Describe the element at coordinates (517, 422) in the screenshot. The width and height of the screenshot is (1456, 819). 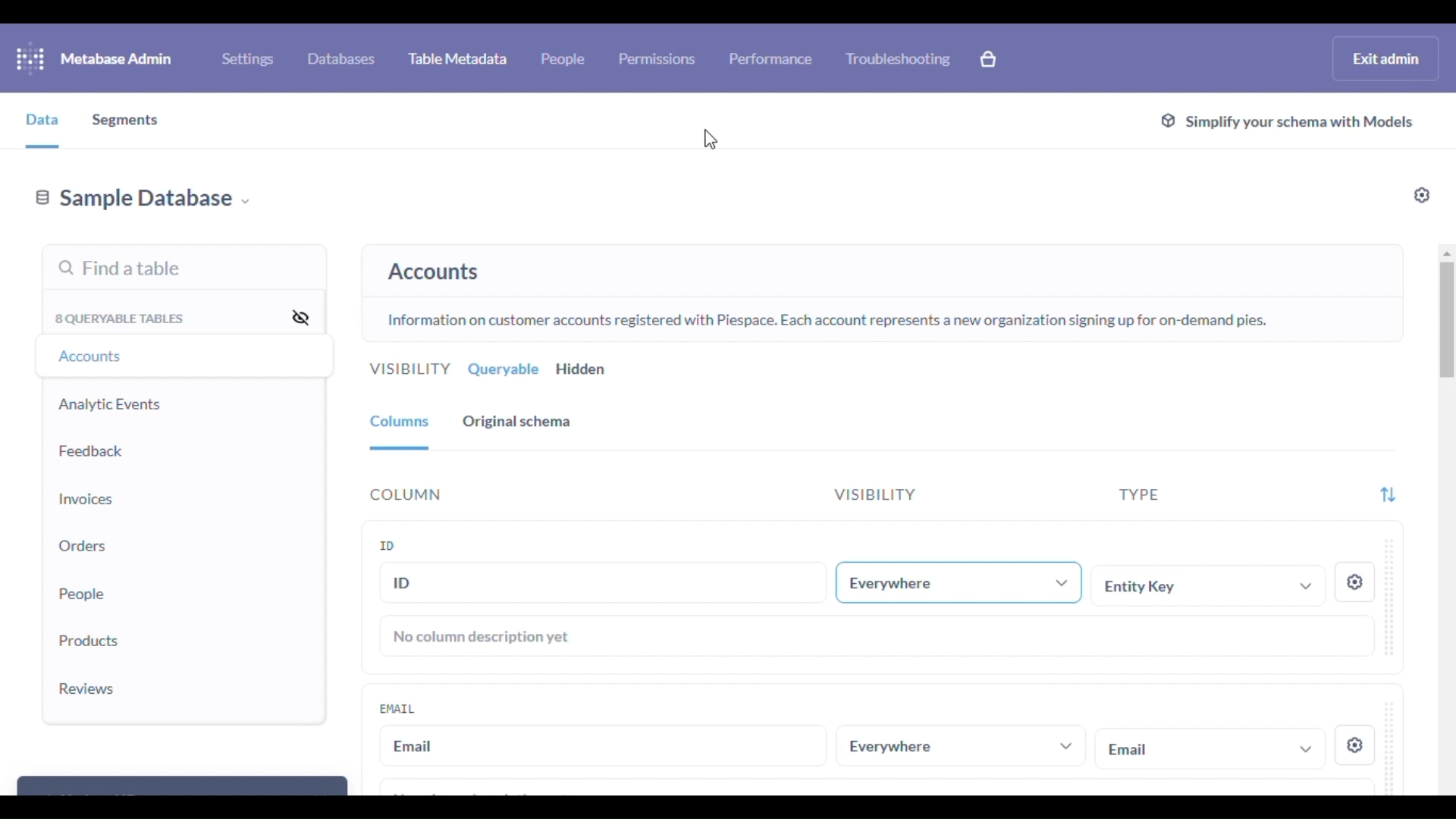
I see `original schema` at that location.